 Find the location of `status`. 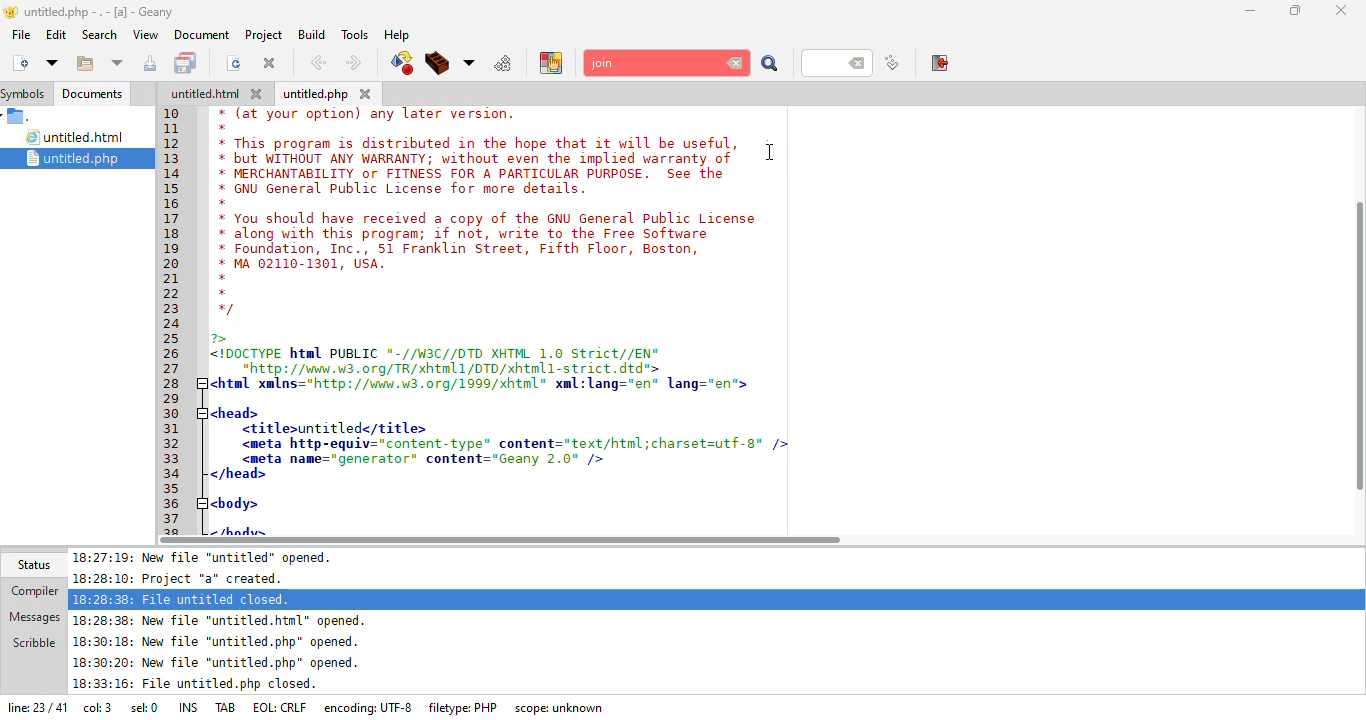

status is located at coordinates (32, 564).